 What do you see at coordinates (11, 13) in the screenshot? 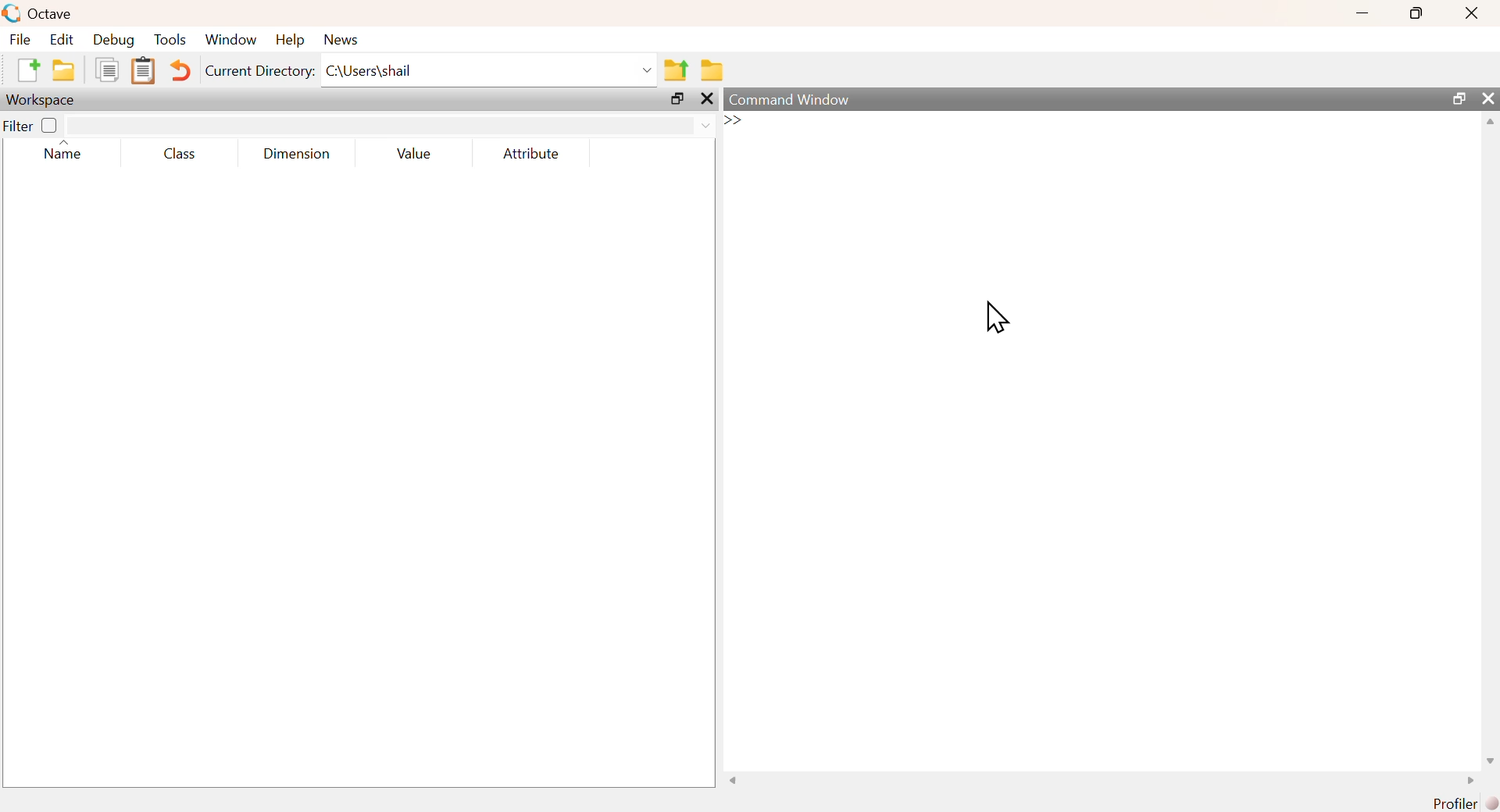
I see `Logo` at bounding box center [11, 13].